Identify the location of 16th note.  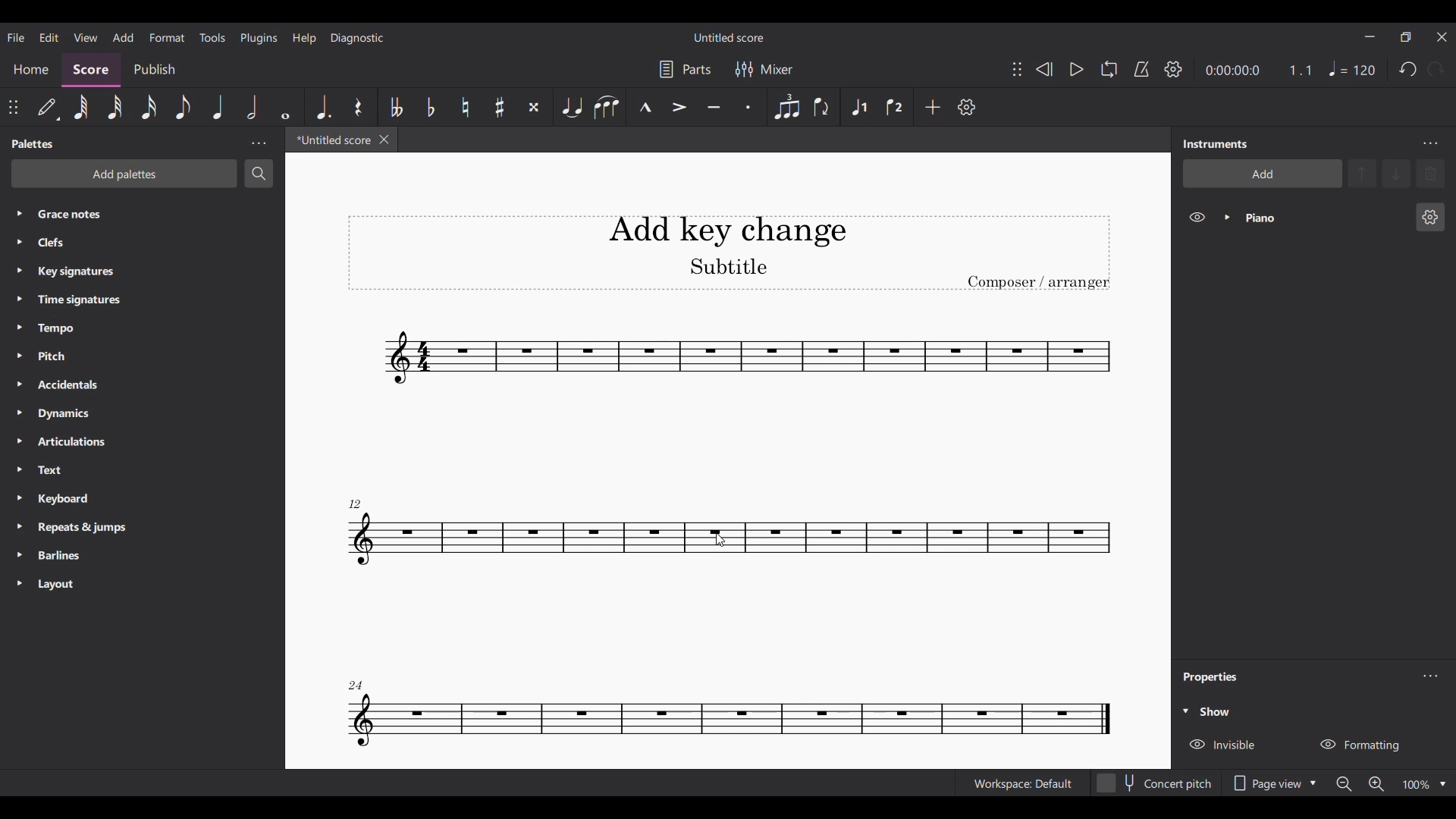
(149, 107).